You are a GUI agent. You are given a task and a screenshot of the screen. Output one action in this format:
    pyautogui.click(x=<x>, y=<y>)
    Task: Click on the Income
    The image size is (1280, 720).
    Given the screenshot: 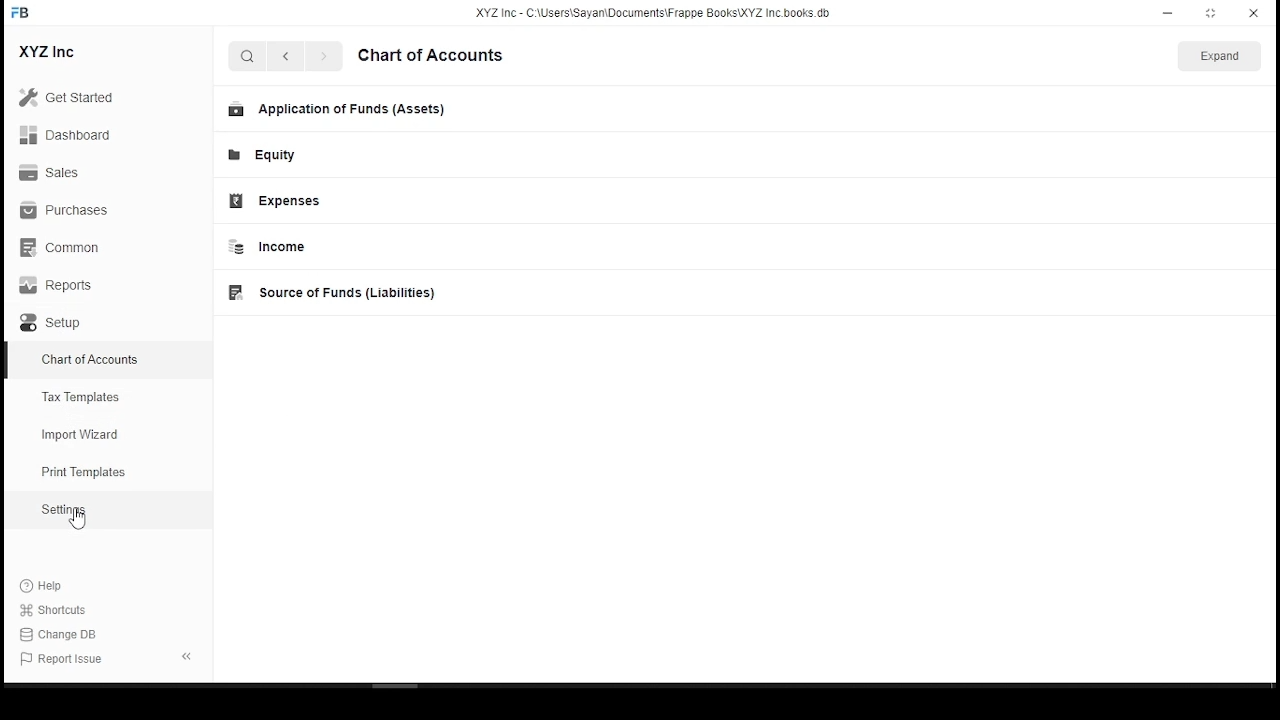 What is the action you would take?
    pyautogui.click(x=273, y=247)
    